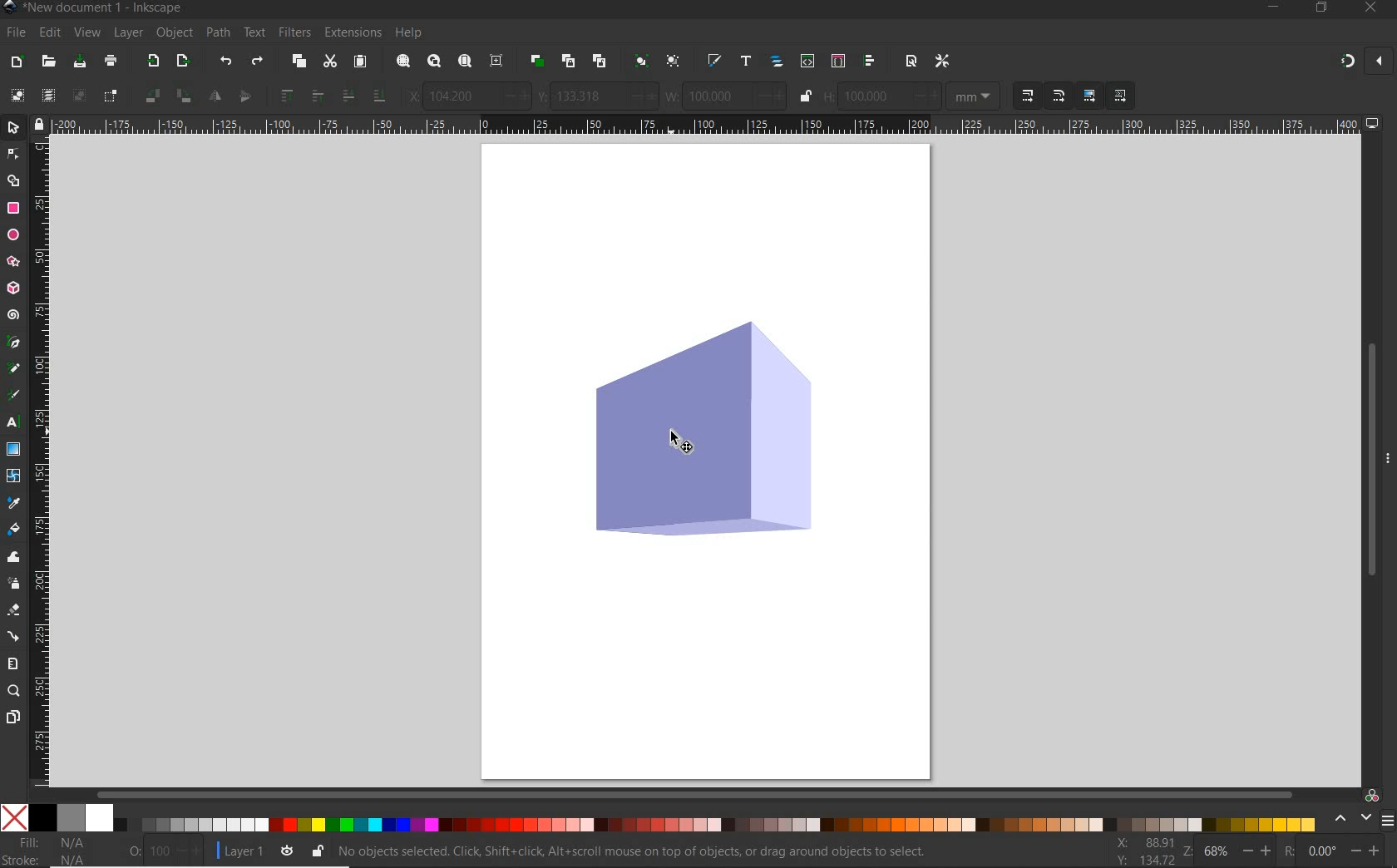  Describe the element at coordinates (219, 33) in the screenshot. I see `PATH` at that location.